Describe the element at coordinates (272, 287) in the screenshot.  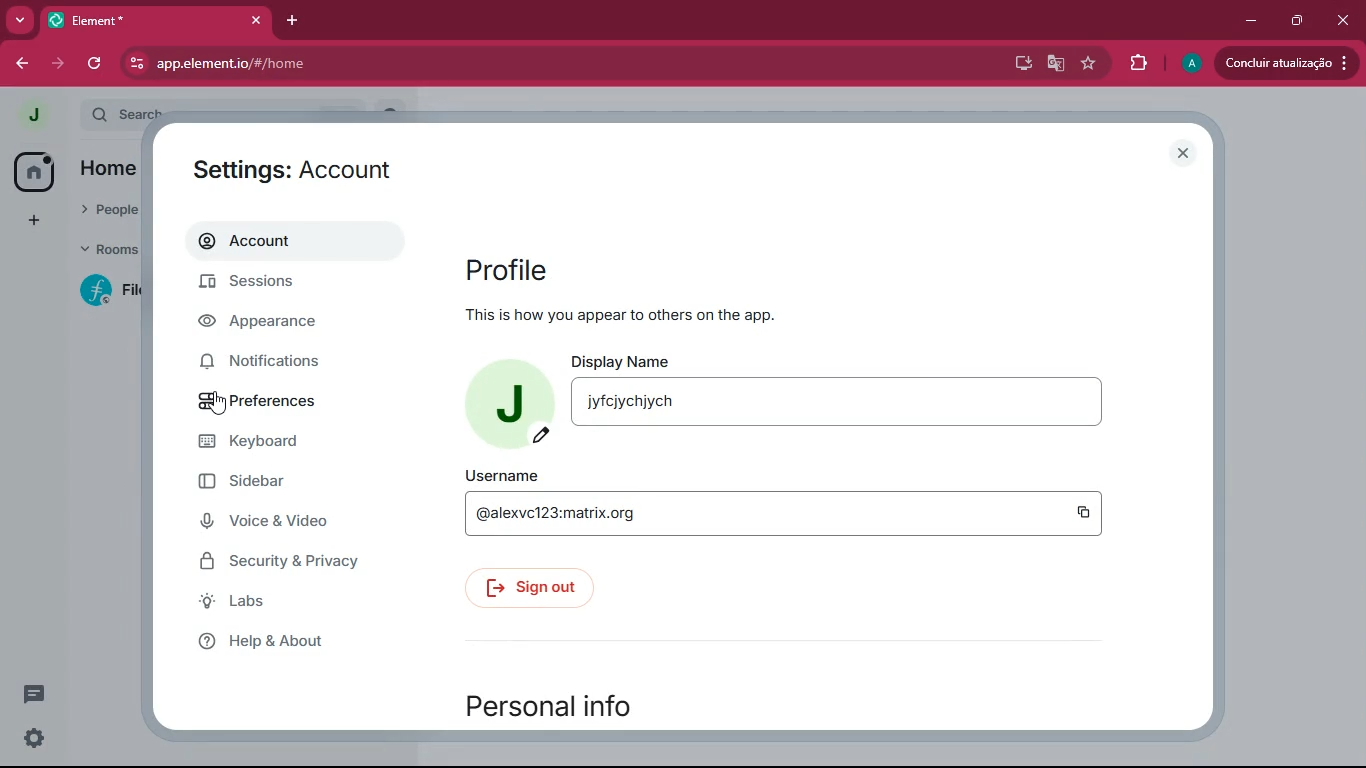
I see `sessions` at that location.